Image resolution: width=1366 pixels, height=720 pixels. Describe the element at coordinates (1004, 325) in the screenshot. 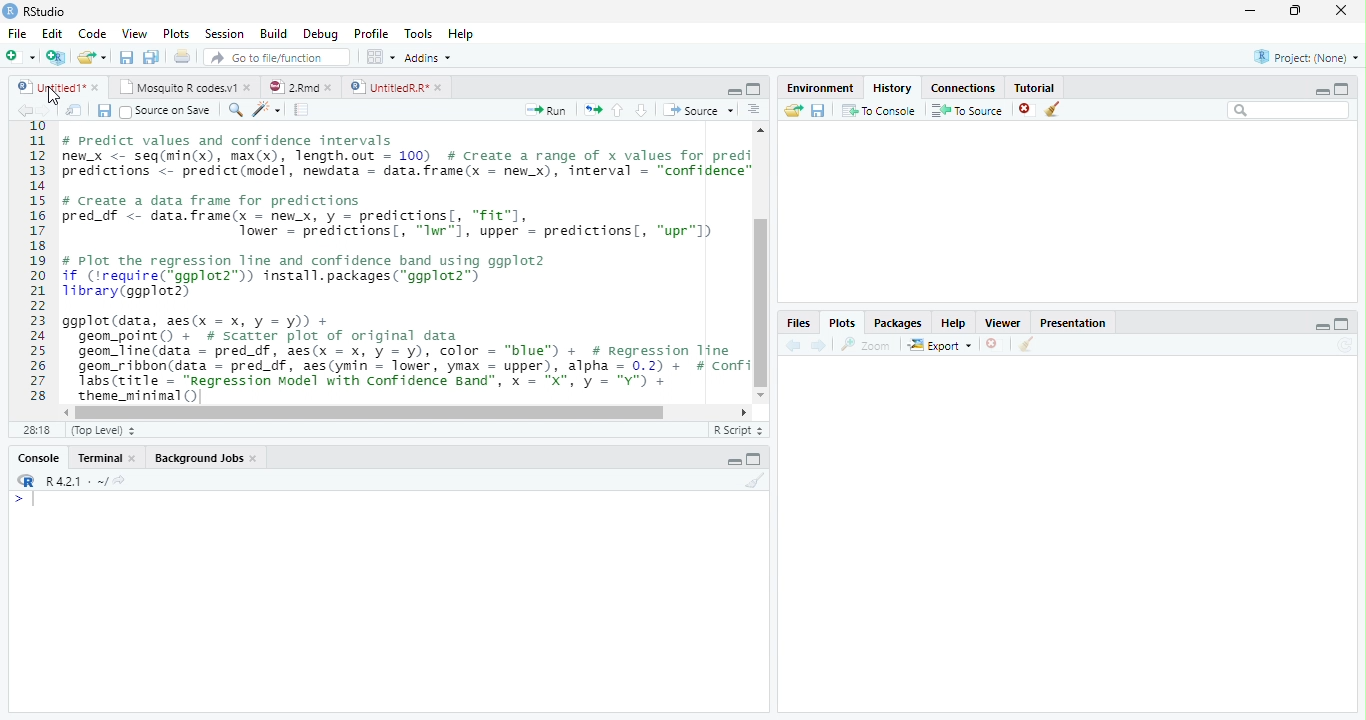

I see `Viewer` at that location.